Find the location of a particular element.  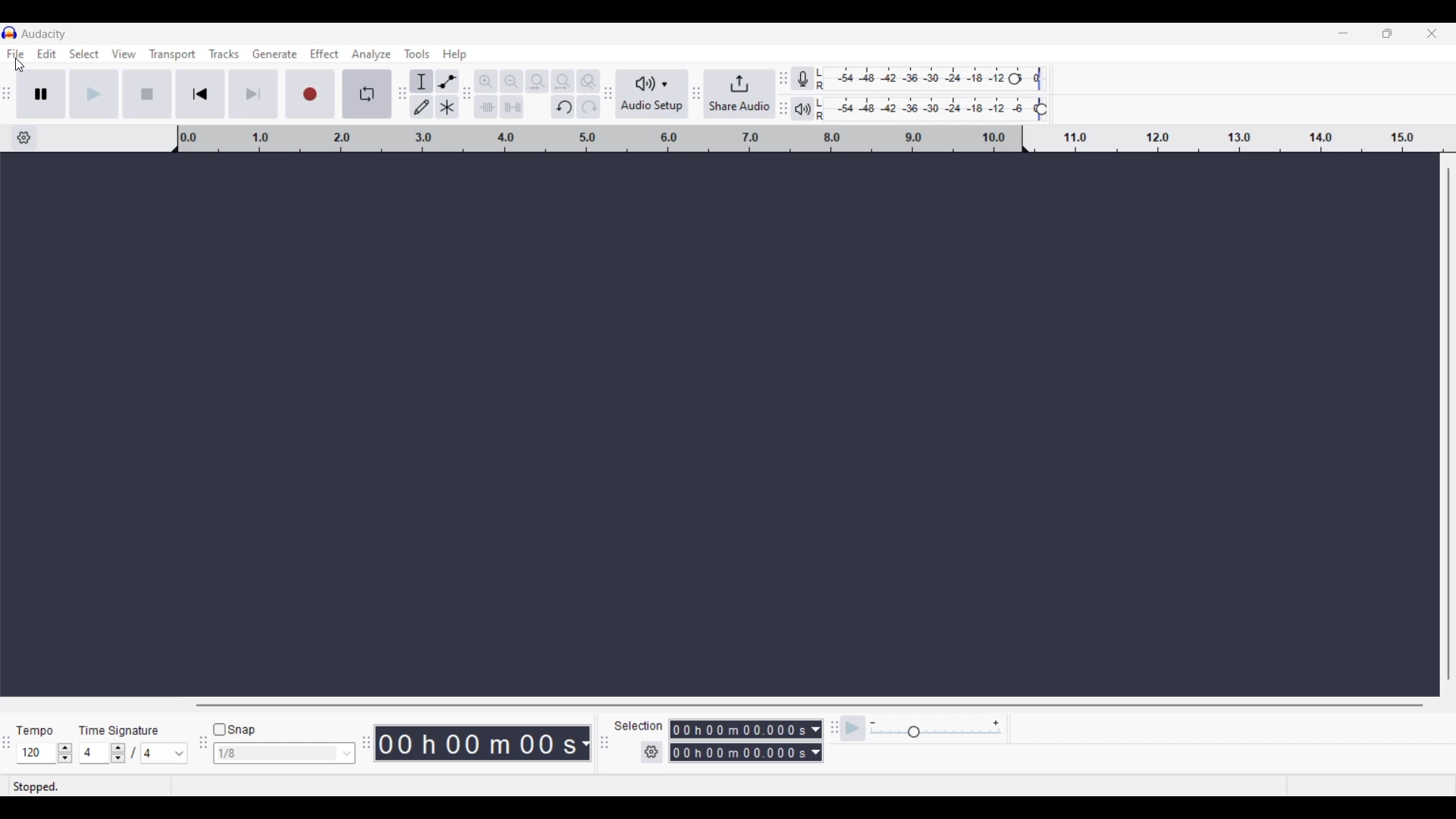

Share audio is located at coordinates (738, 94).